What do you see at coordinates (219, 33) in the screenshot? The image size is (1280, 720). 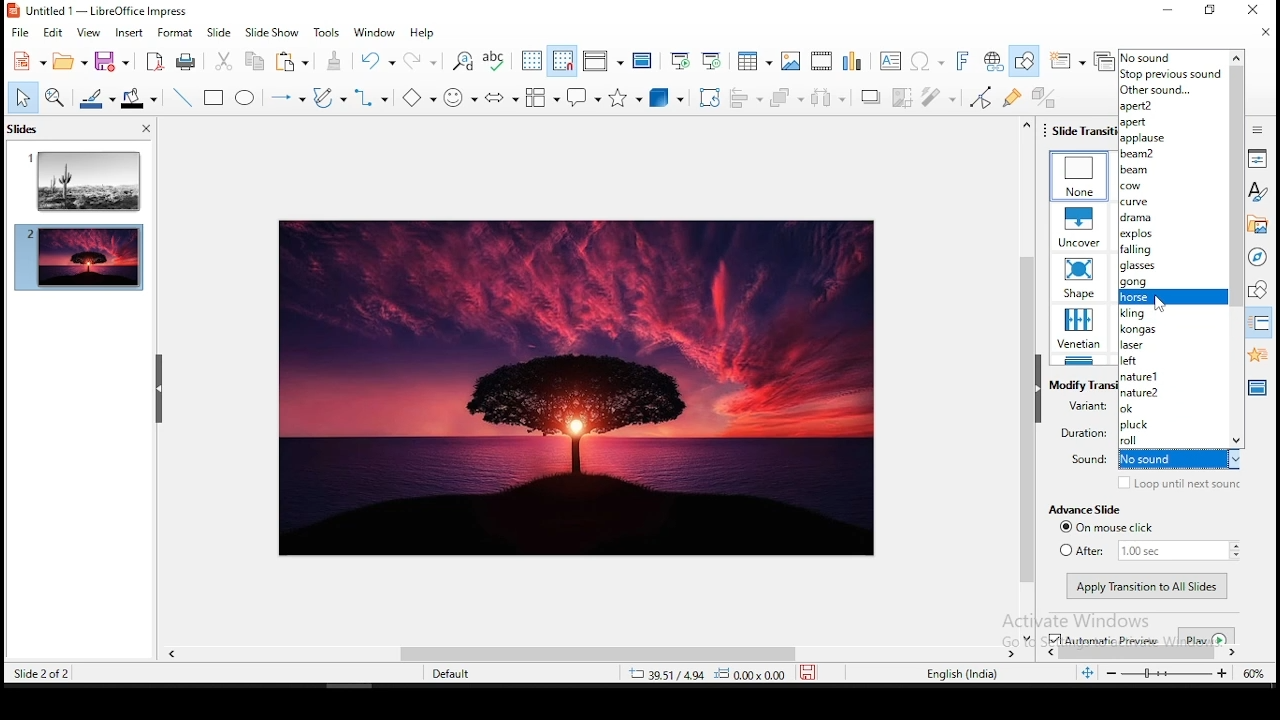 I see `slide` at bounding box center [219, 33].